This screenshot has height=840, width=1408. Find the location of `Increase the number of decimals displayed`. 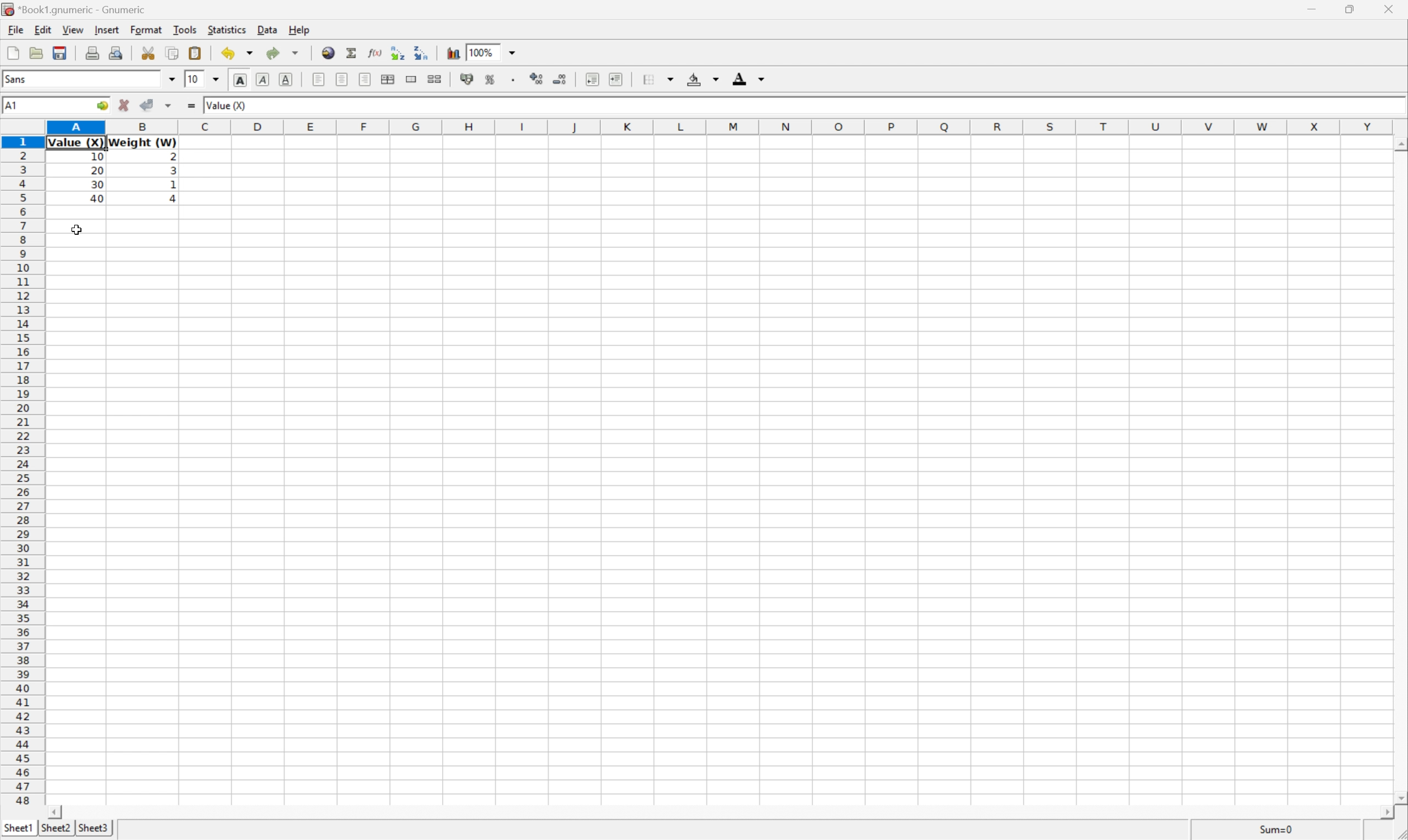

Increase the number of decimals displayed is located at coordinates (537, 77).